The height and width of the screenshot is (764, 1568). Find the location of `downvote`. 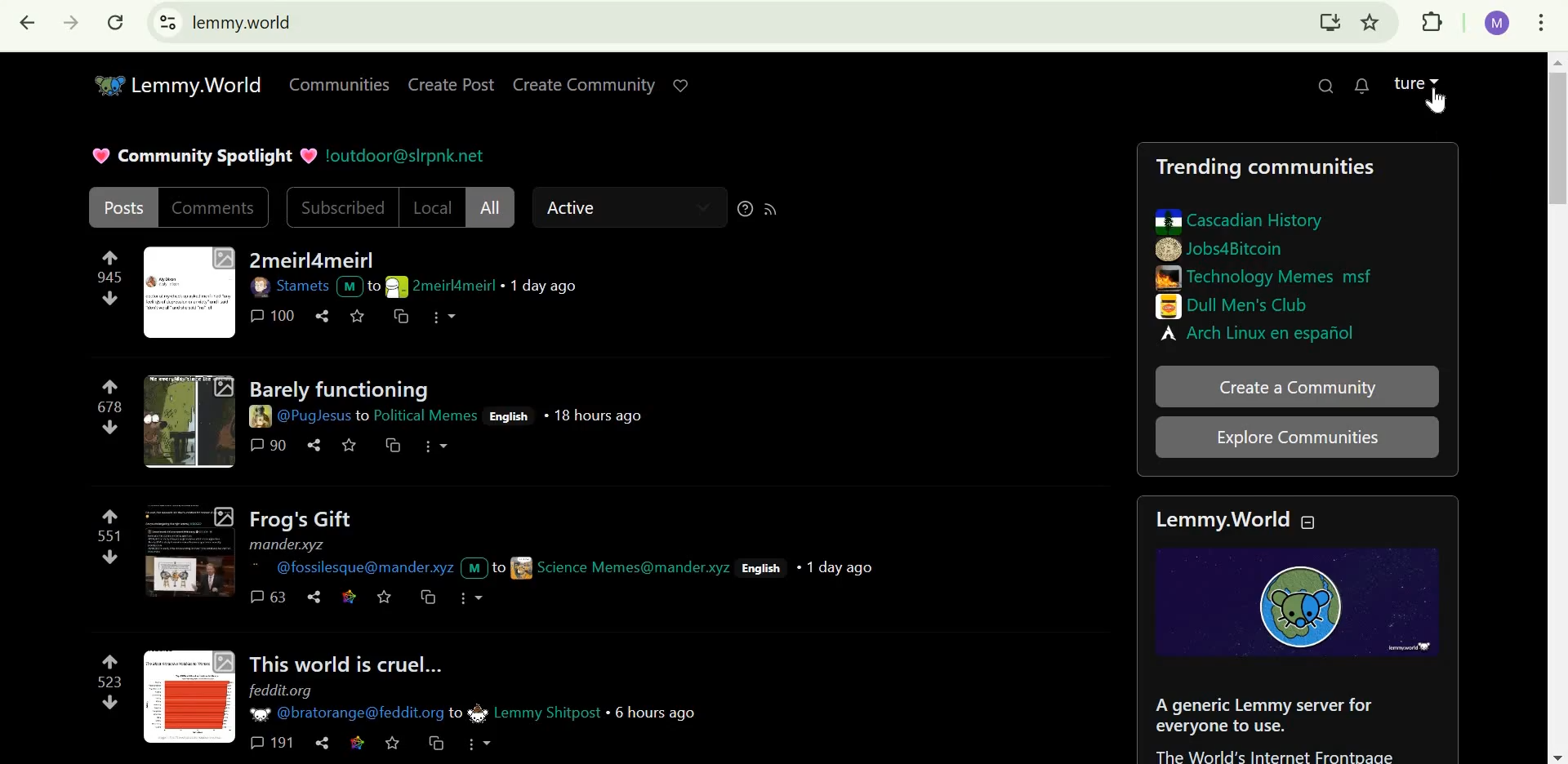

downvote is located at coordinates (109, 704).